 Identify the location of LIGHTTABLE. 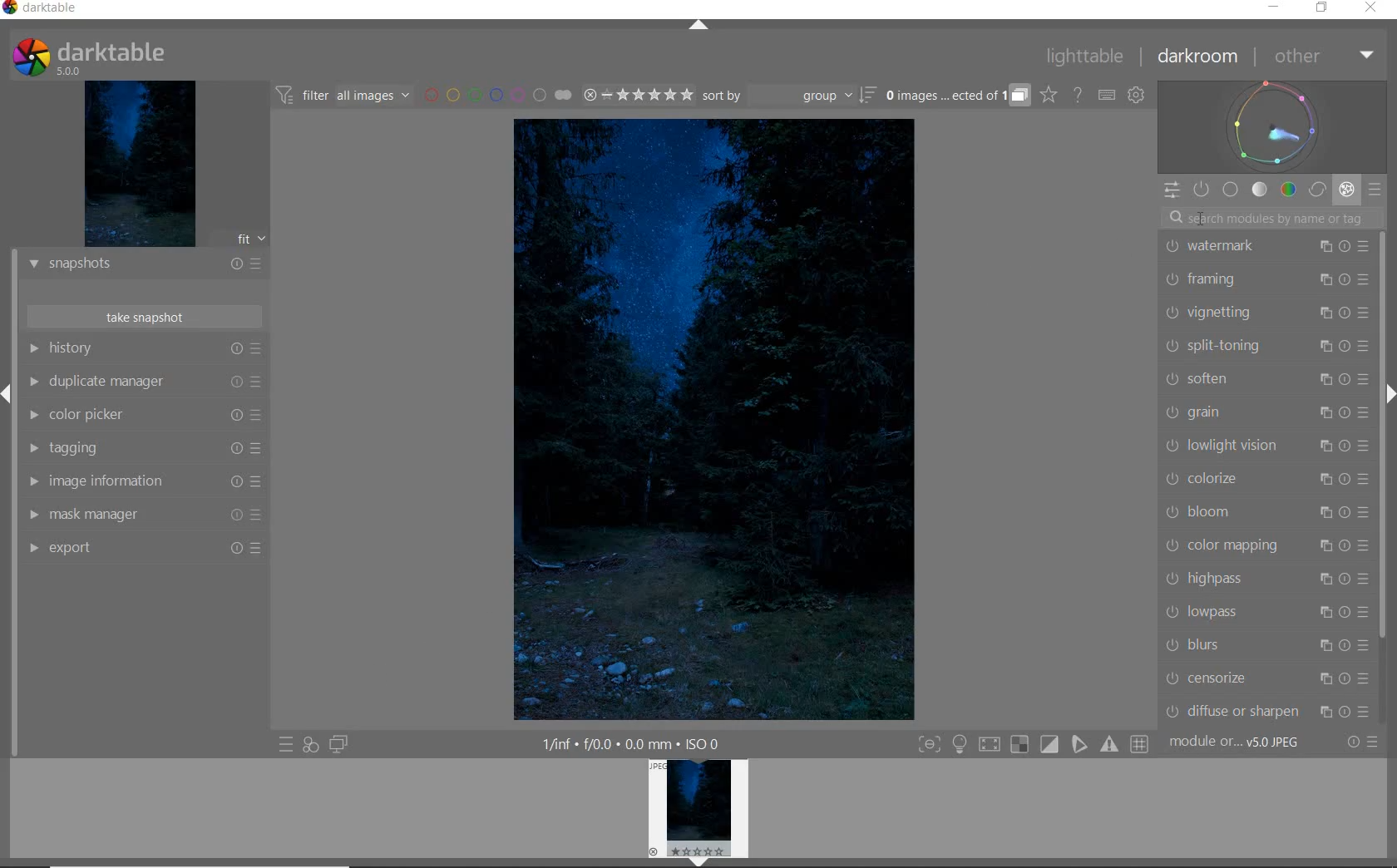
(1084, 57).